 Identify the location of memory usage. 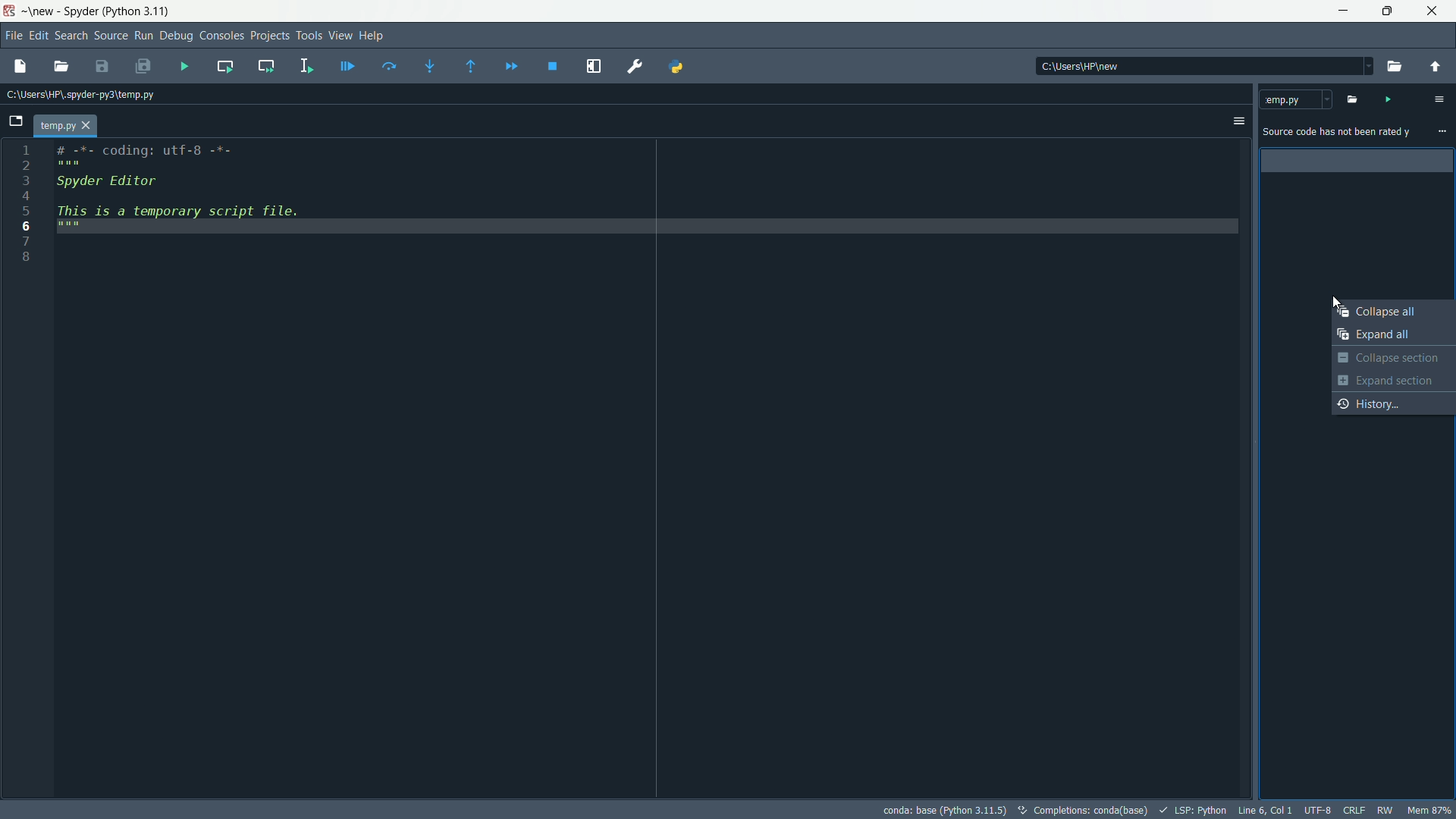
(1432, 809).